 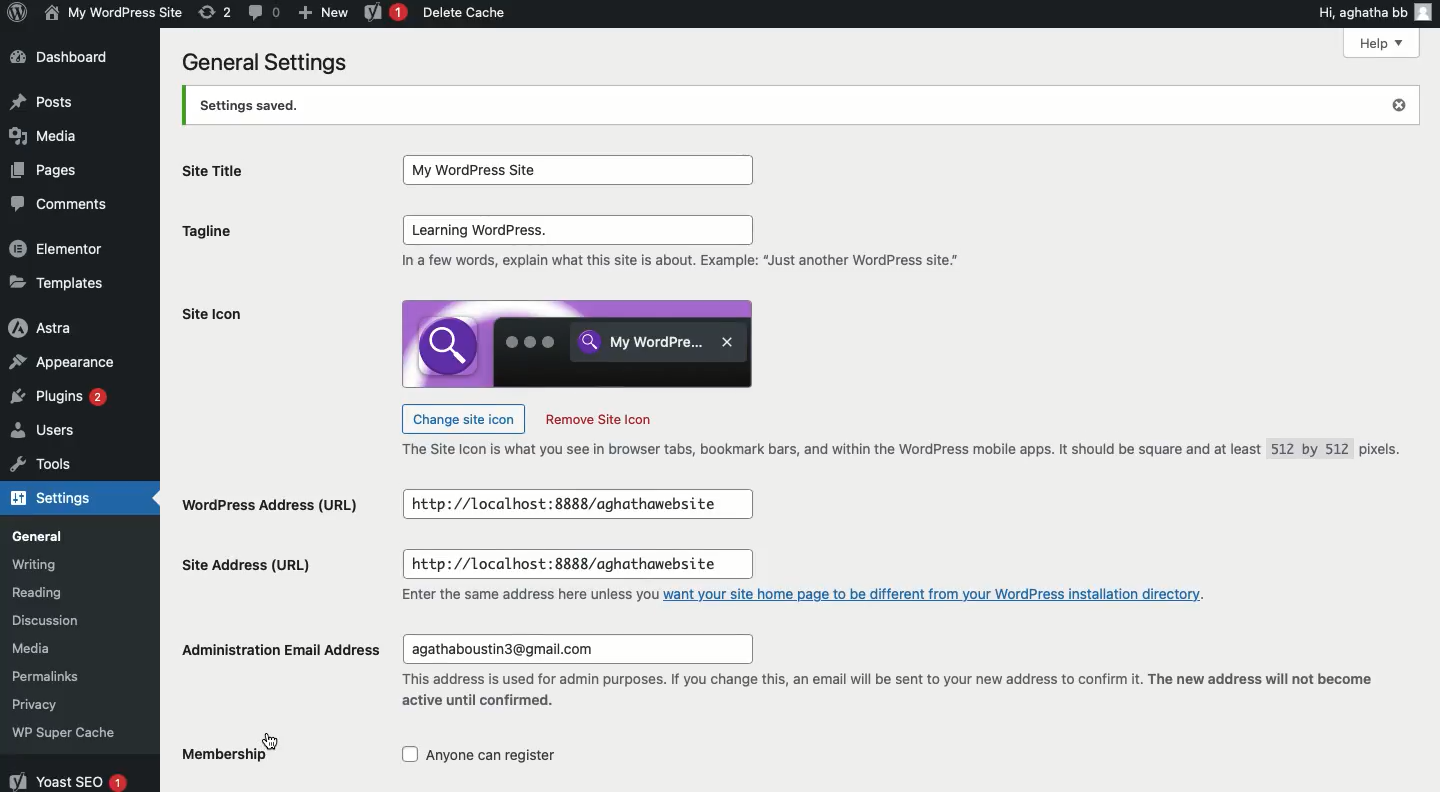 I want to click on WP Super Cache, so click(x=73, y=731).